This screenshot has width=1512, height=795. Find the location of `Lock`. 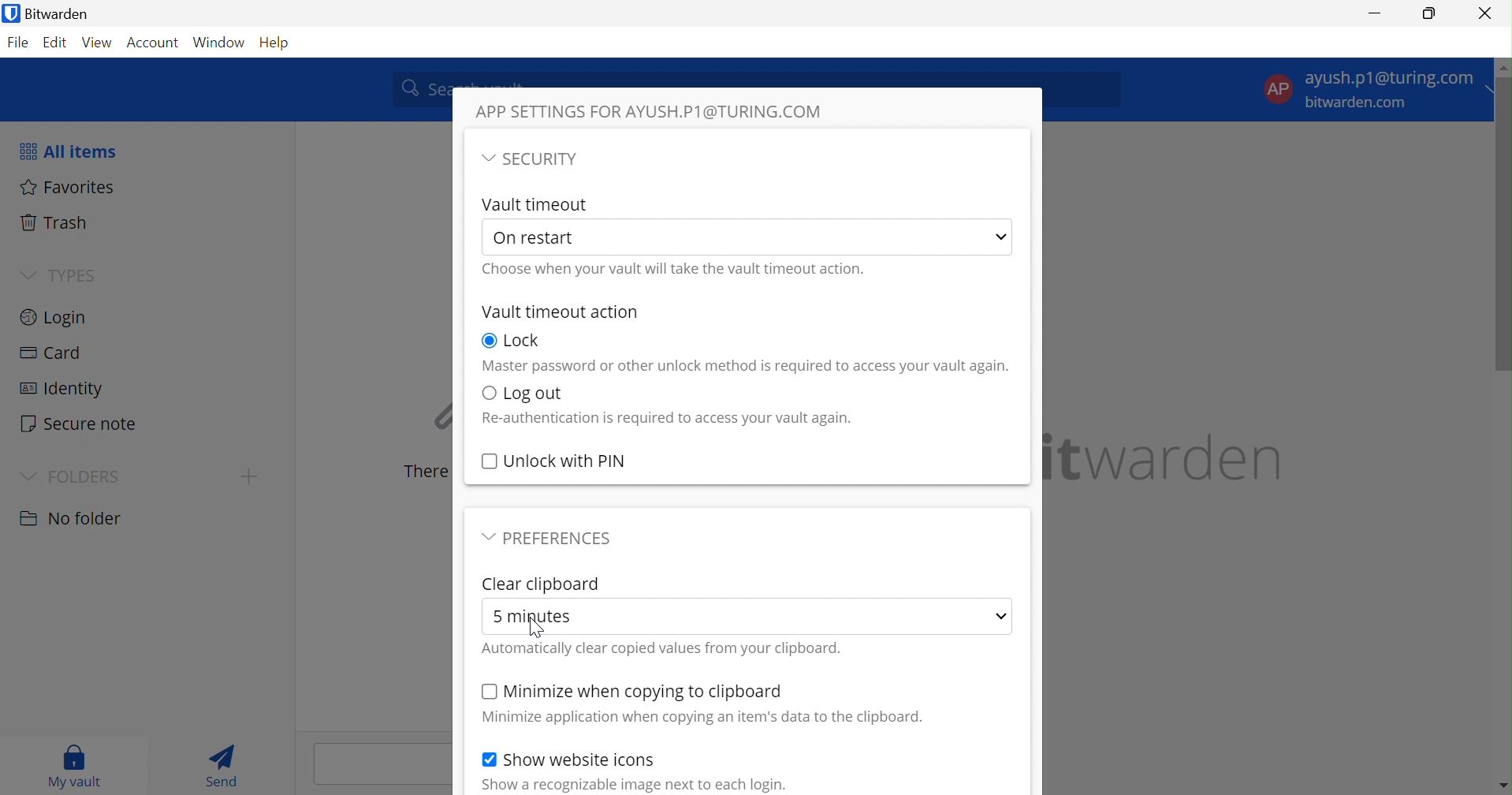

Lock is located at coordinates (524, 340).